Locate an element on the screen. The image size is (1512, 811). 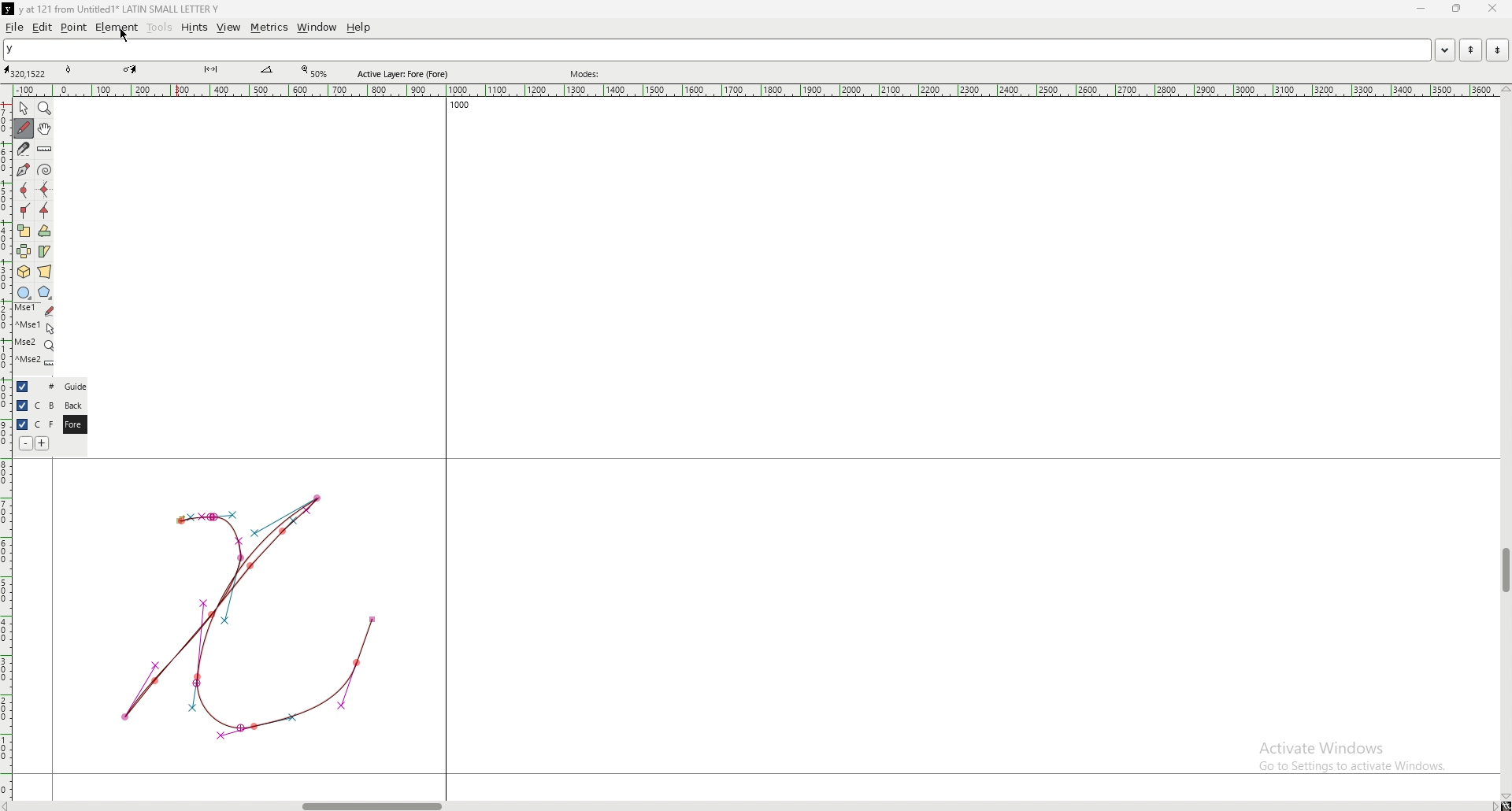
active layer is located at coordinates (406, 74).